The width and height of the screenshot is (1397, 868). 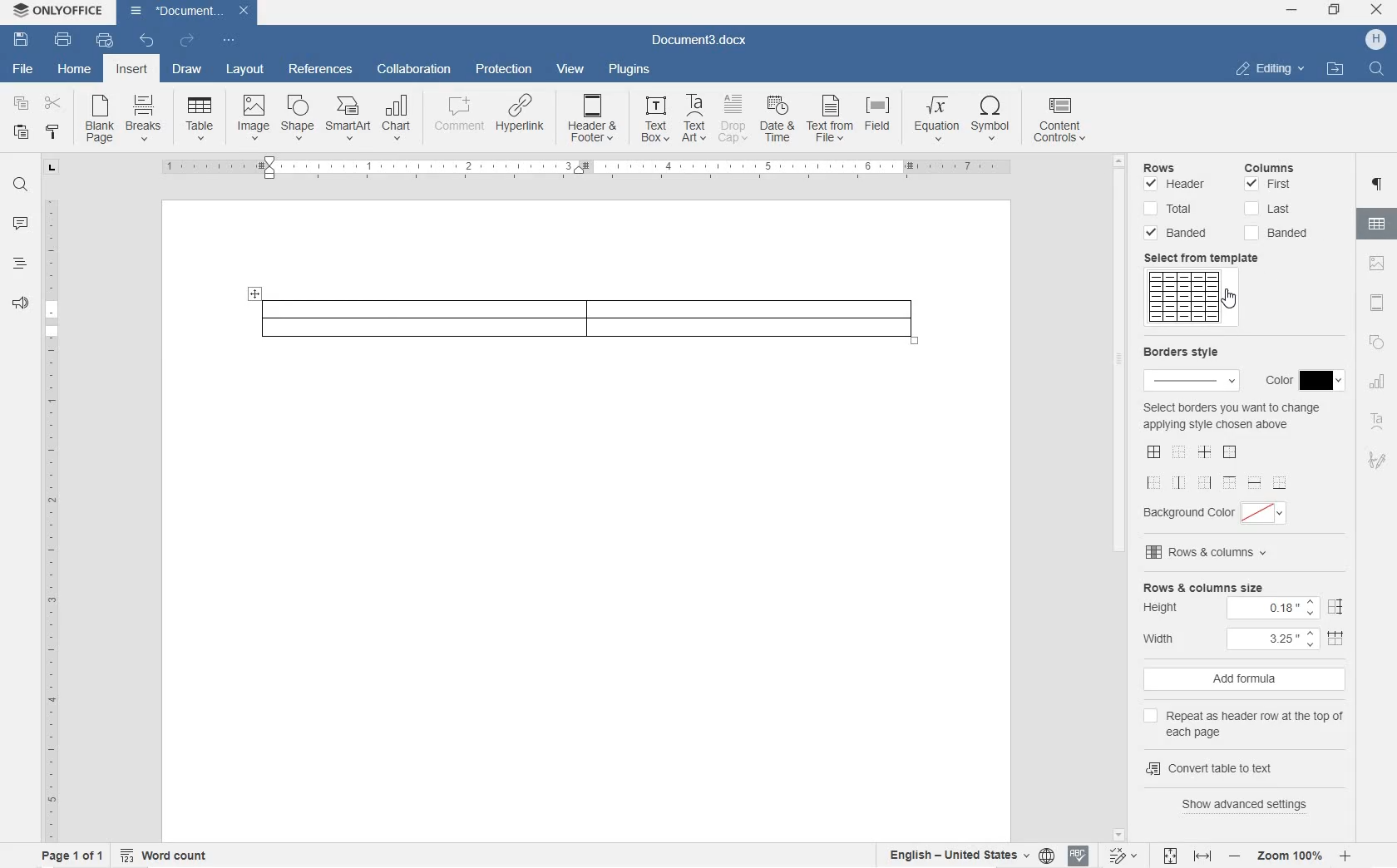 I want to click on CUSTOMIZE QUICK ACCESS TOOLBAR, so click(x=227, y=40).